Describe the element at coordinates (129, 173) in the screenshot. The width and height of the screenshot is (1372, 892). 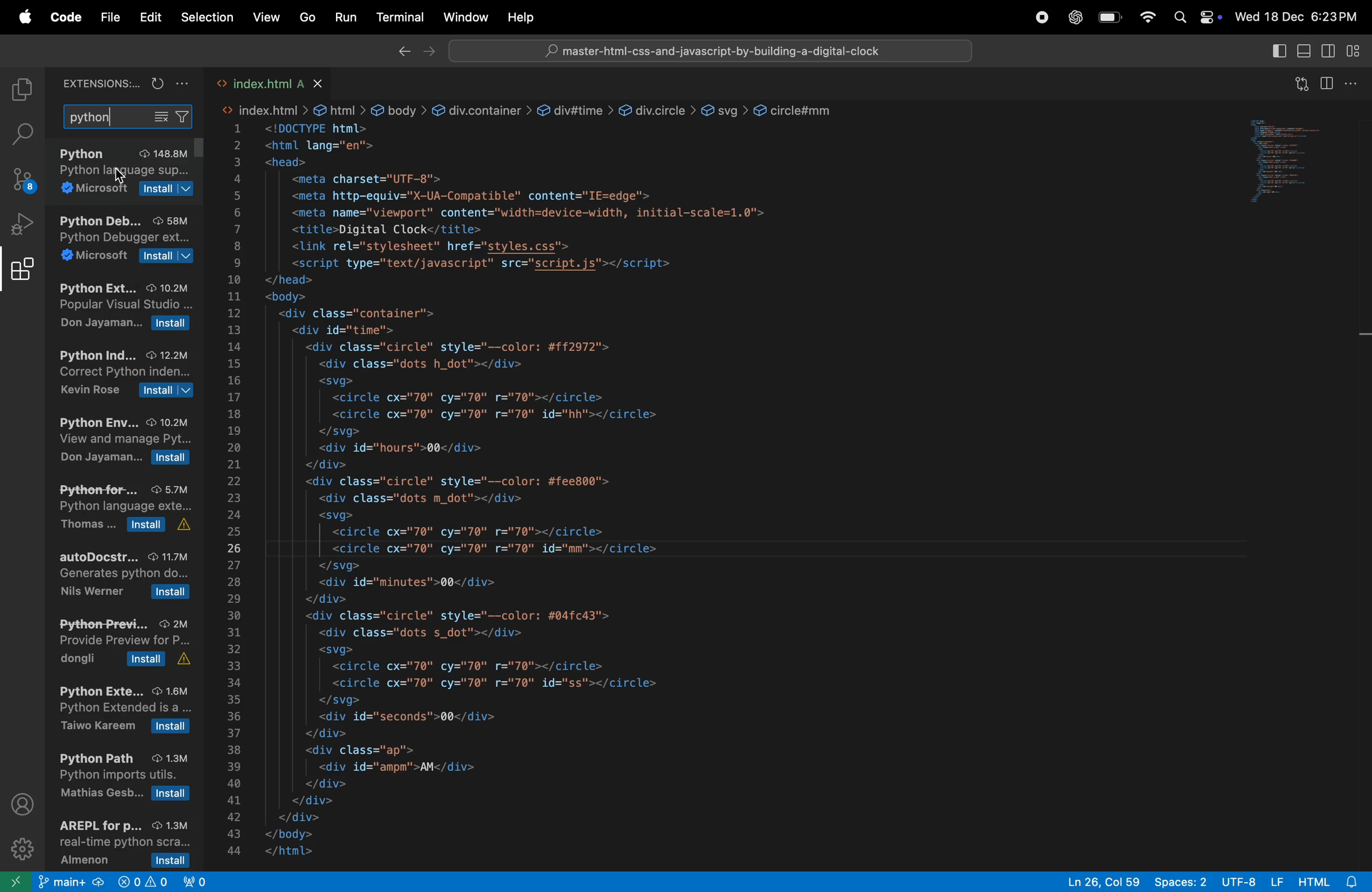
I see `python extension` at that location.